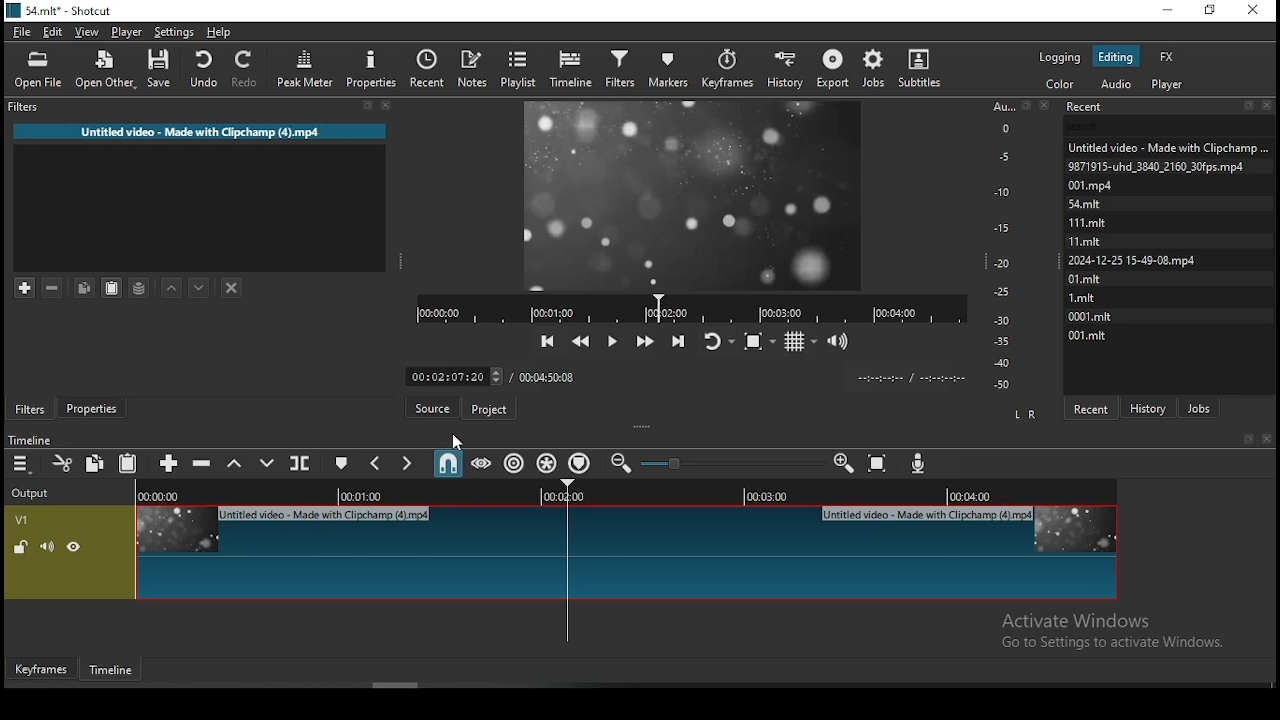  Describe the element at coordinates (63, 462) in the screenshot. I see `cut` at that location.